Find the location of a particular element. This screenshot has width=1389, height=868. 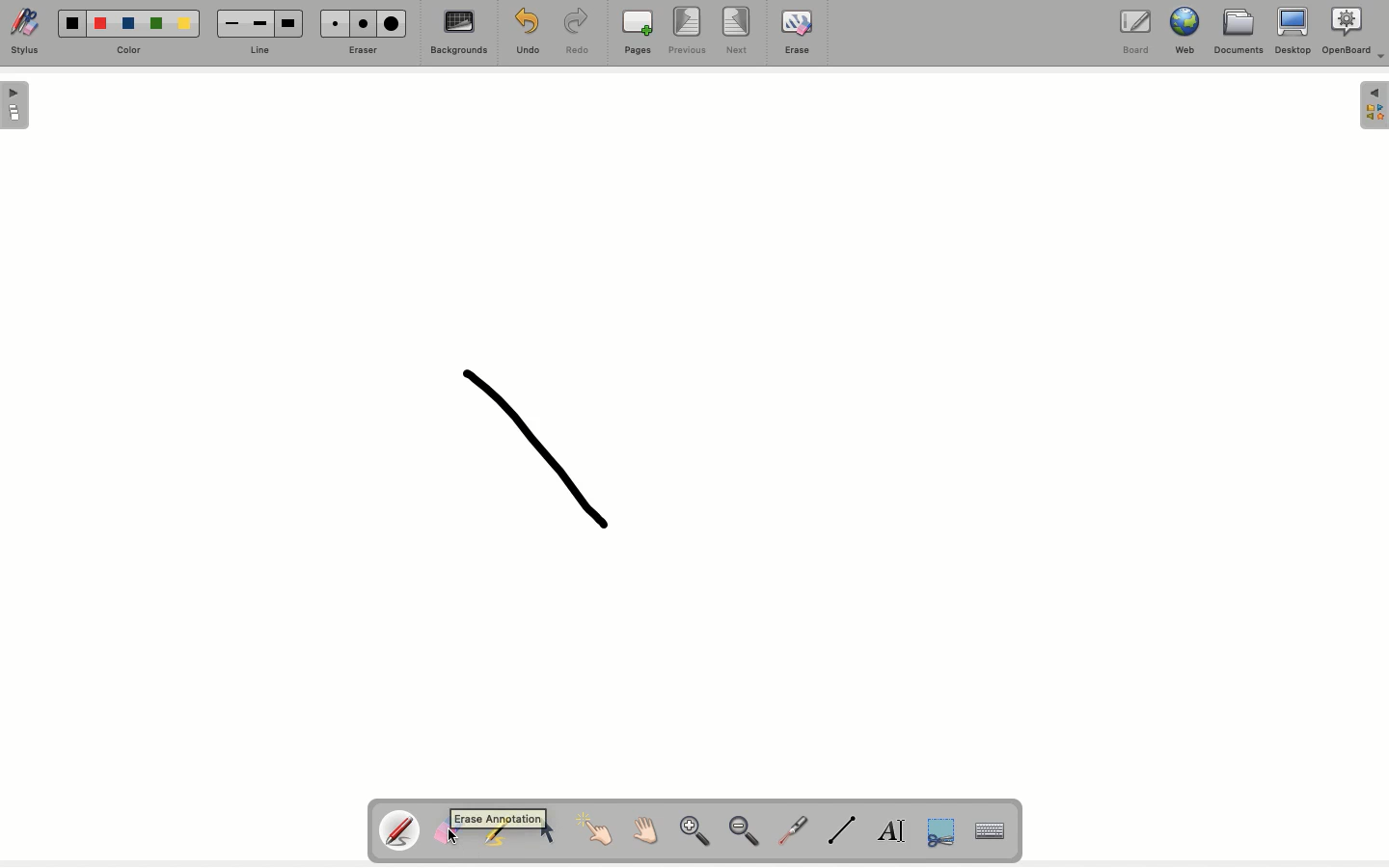

Backgrounds is located at coordinates (460, 36).